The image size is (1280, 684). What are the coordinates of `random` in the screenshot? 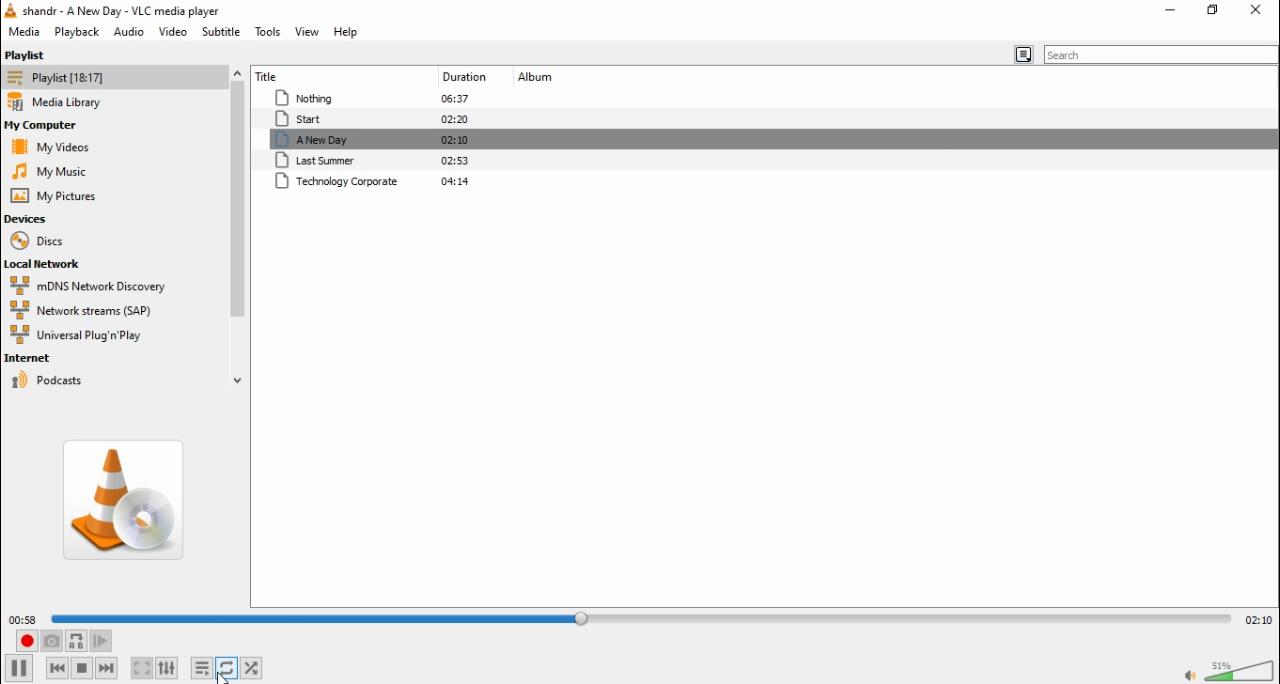 It's located at (253, 667).